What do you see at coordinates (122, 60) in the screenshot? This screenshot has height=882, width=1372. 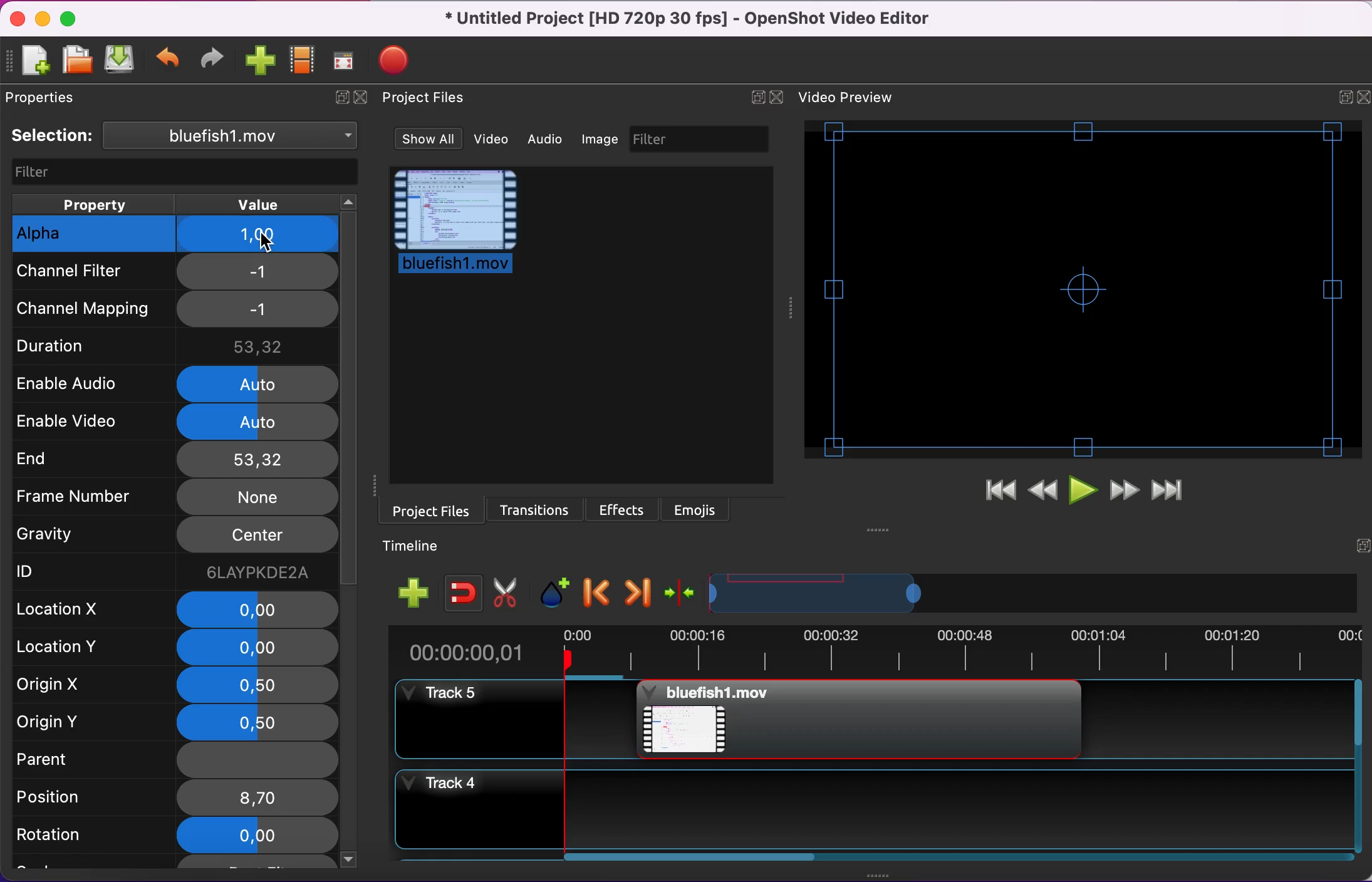 I see `save project` at bounding box center [122, 60].